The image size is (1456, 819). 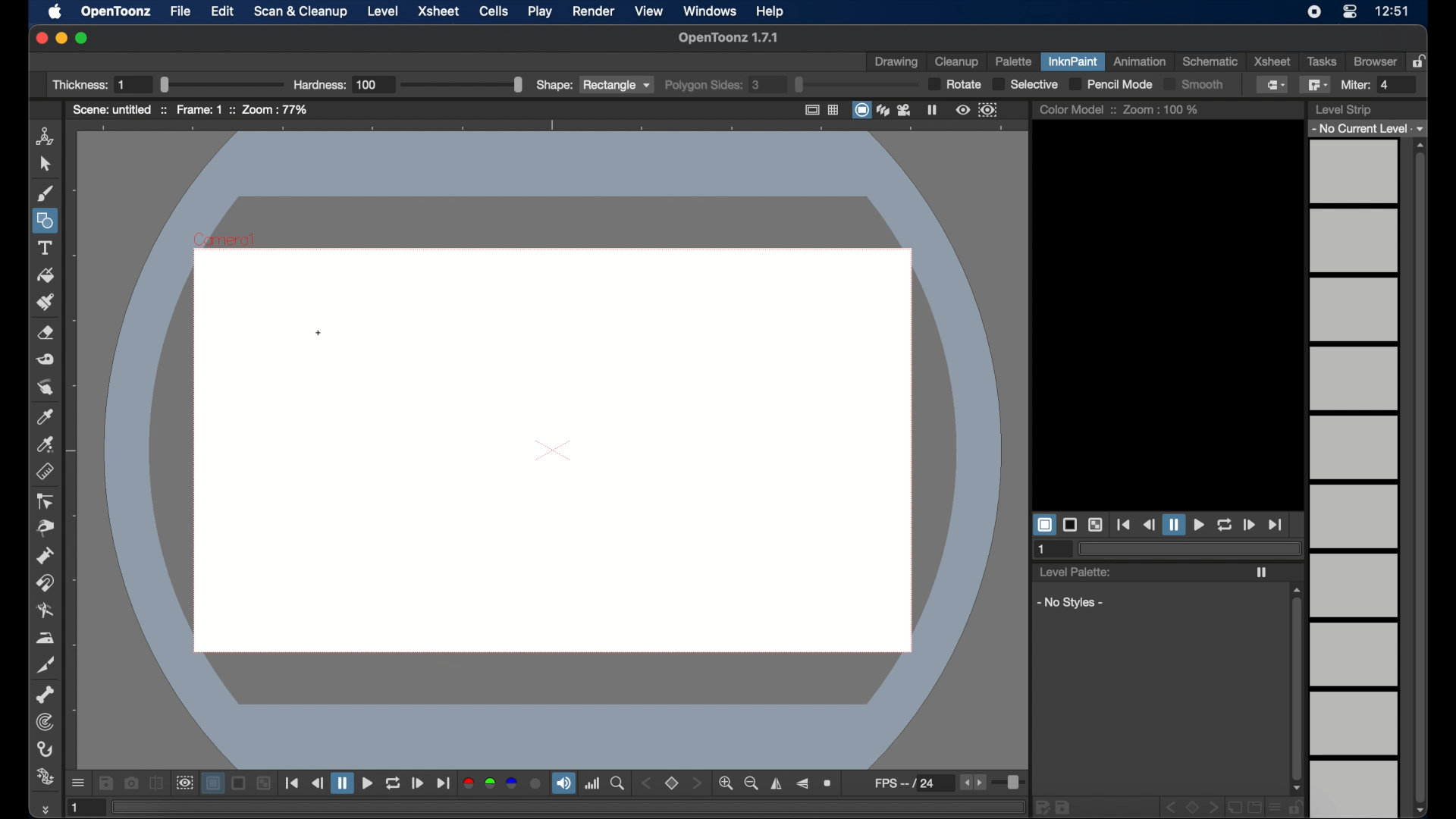 I want to click on brush tool, so click(x=45, y=194).